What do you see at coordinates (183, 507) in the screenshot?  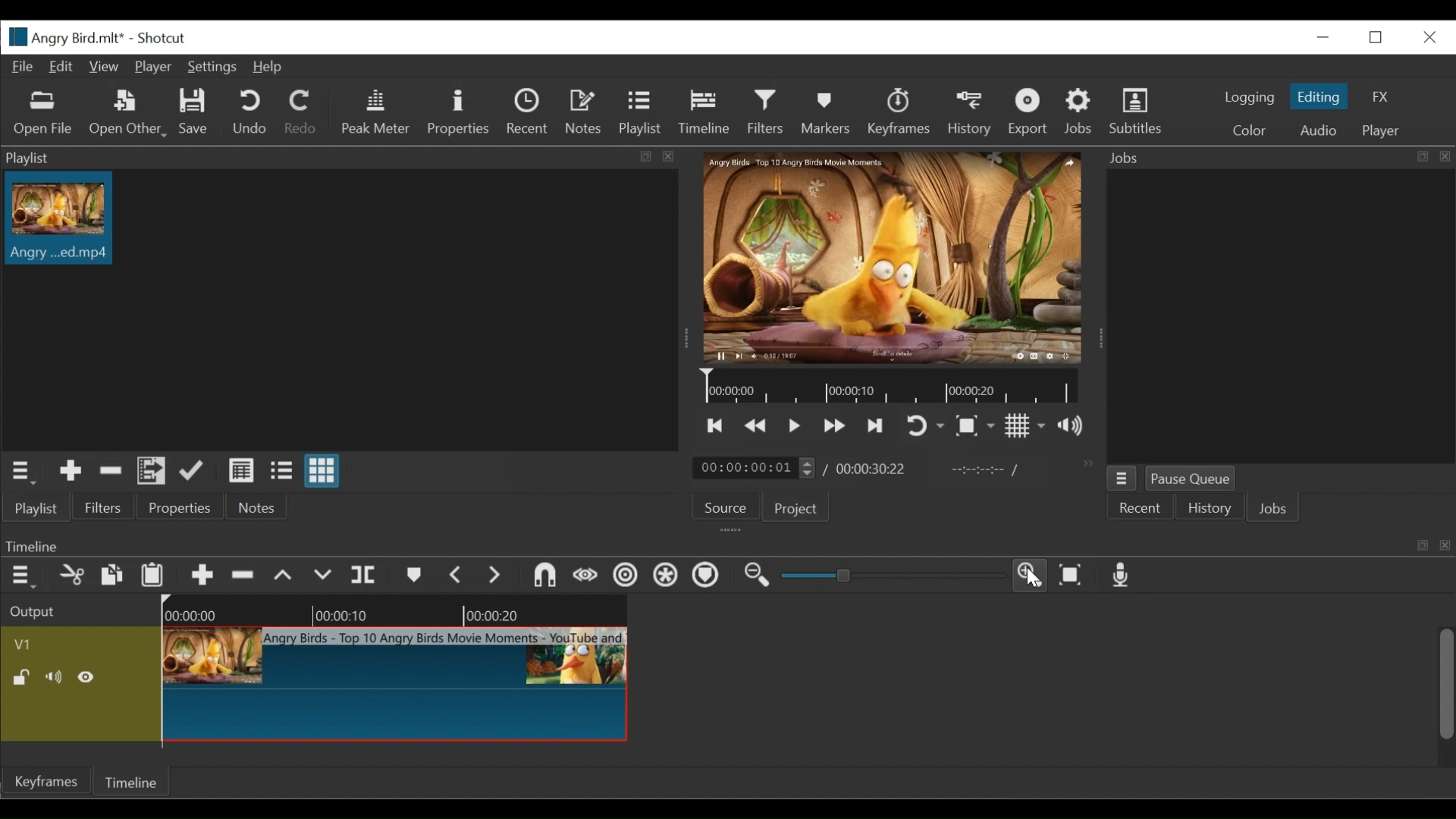 I see `Properties` at bounding box center [183, 507].